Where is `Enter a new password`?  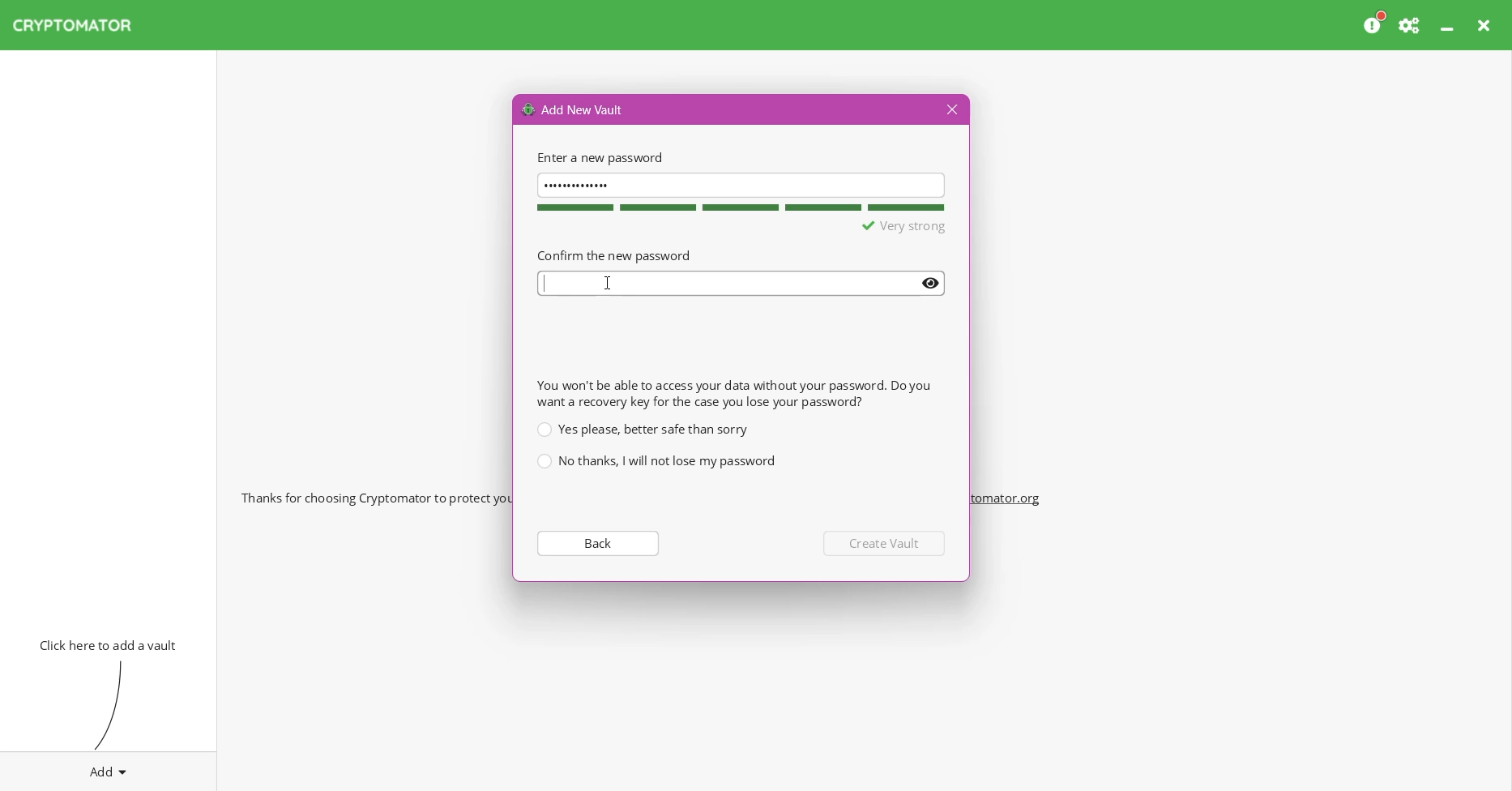
Enter a new password is located at coordinates (741, 184).